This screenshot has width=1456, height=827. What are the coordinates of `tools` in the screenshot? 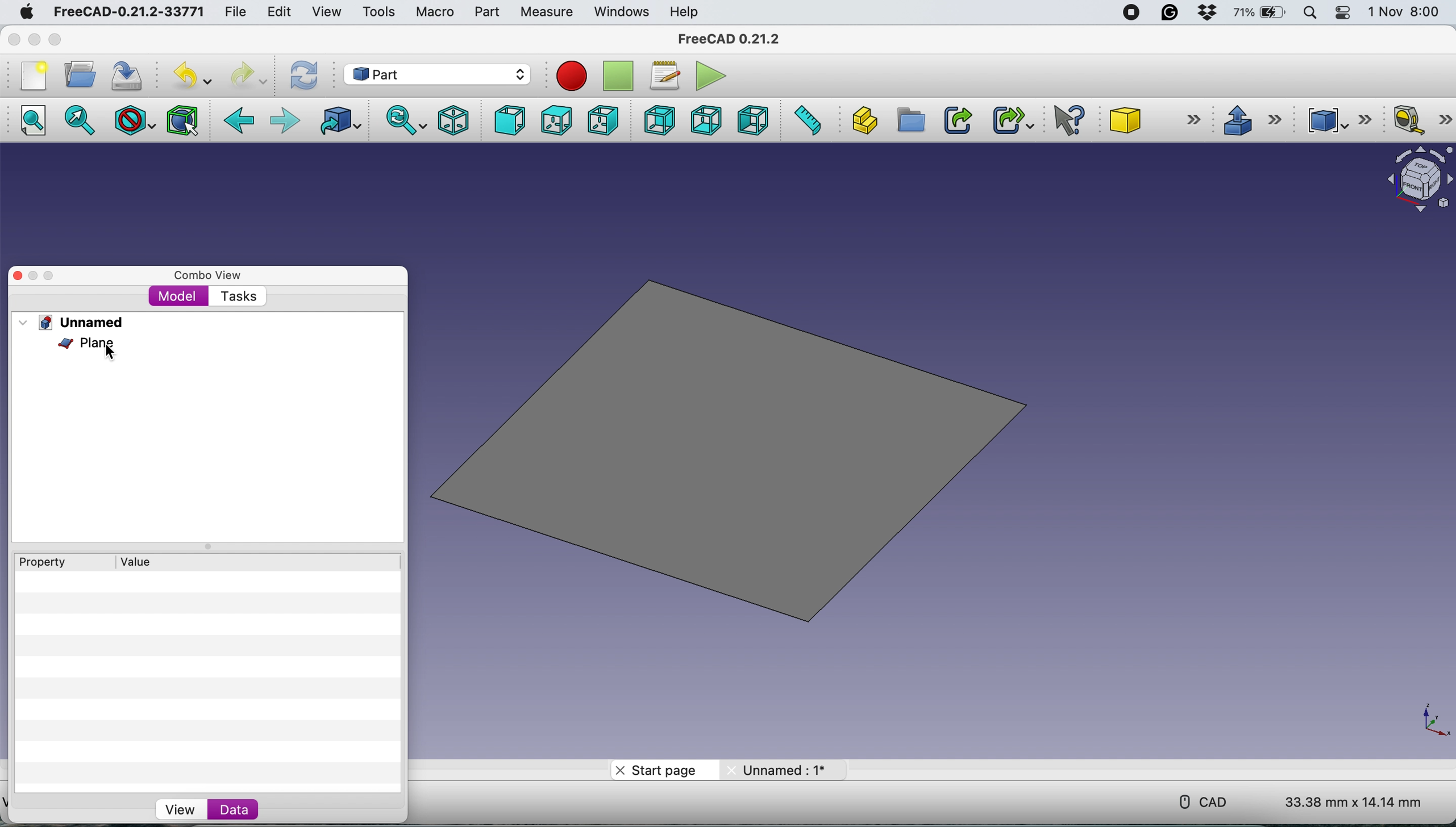 It's located at (377, 12).